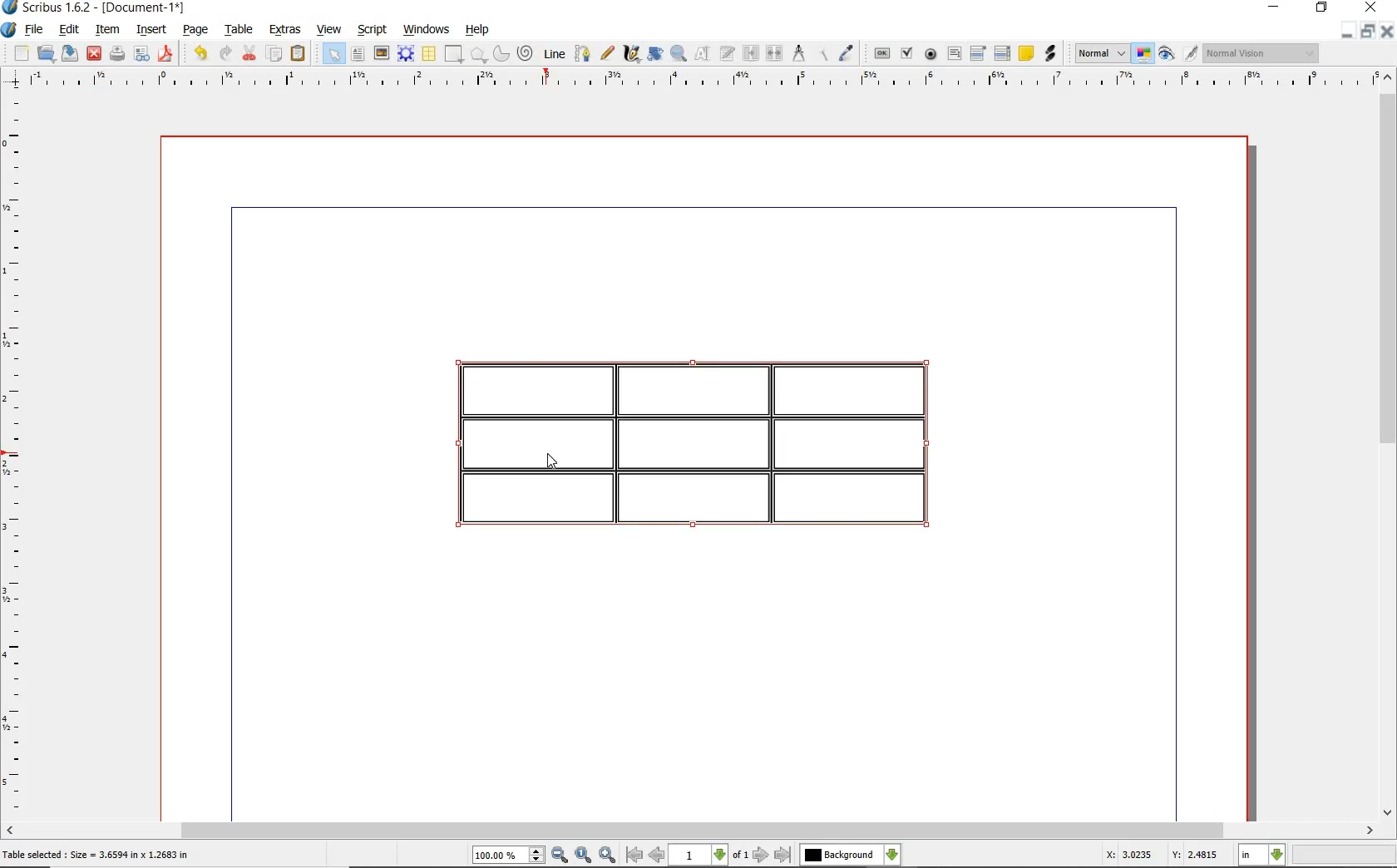 This screenshot has height=868, width=1397. I want to click on select item, so click(332, 53).